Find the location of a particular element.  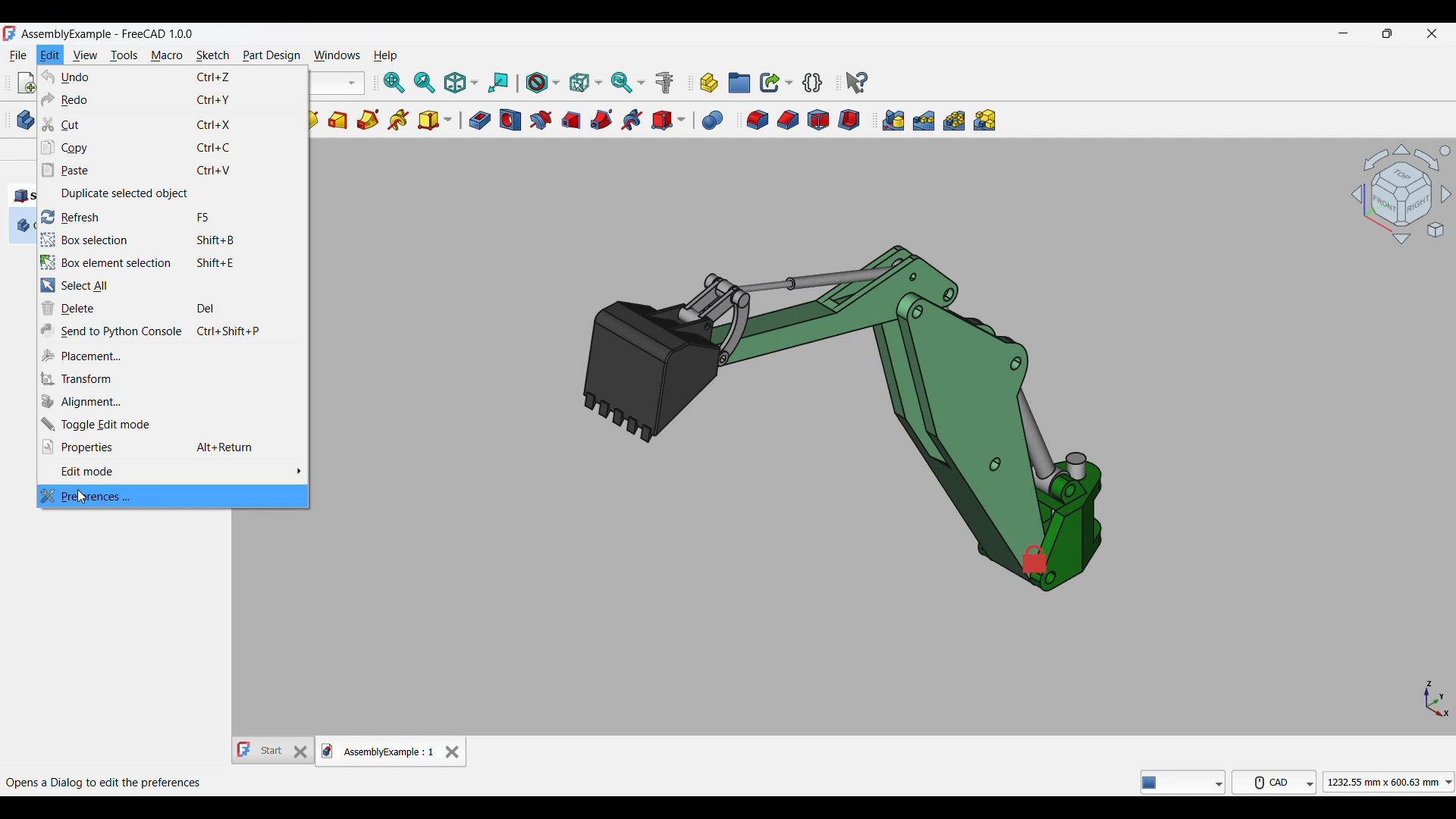

Revolution is located at coordinates (313, 121).